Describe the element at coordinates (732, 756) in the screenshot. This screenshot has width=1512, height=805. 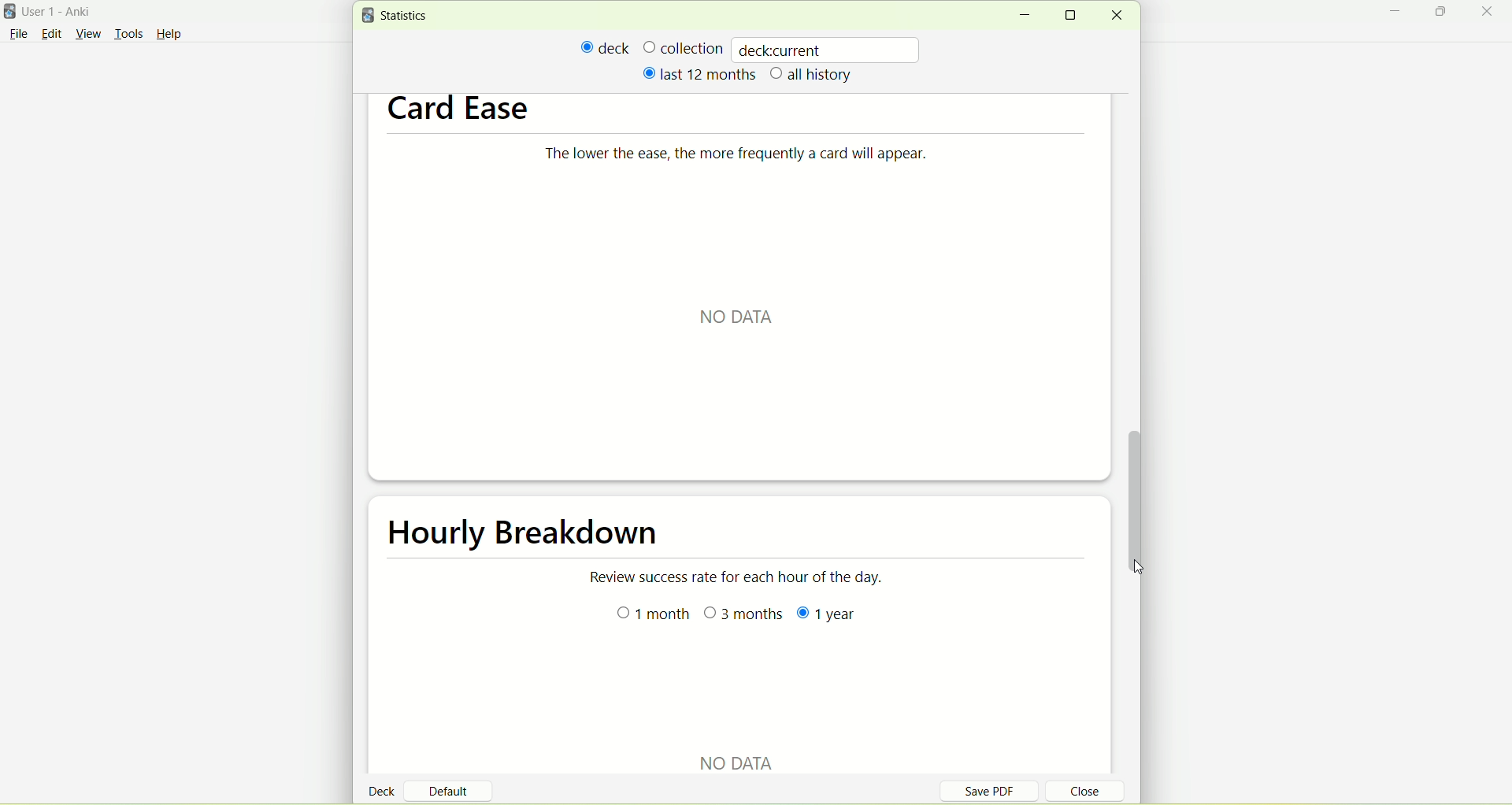
I see `NO DATA` at that location.